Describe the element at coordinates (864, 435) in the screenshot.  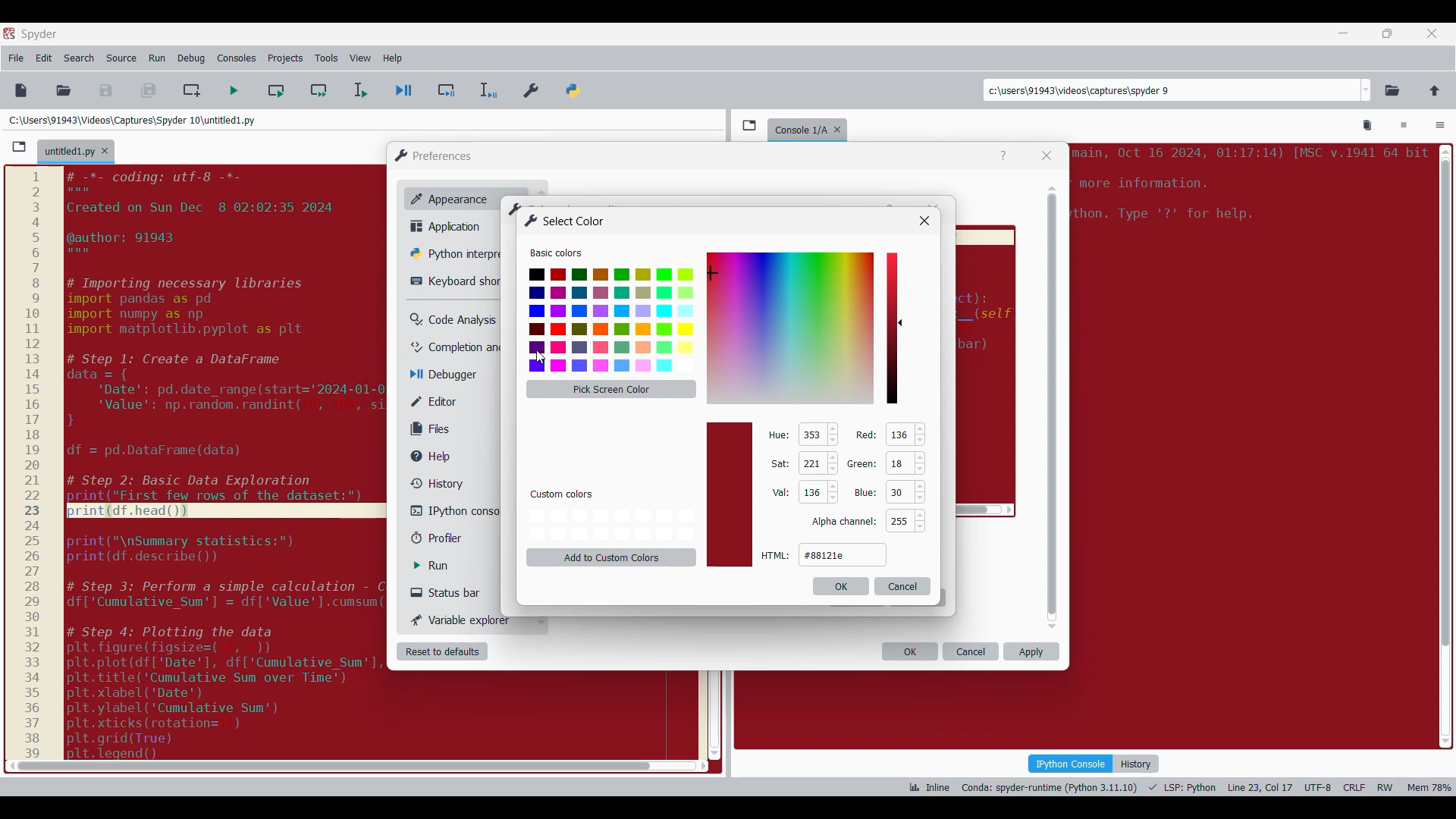
I see `red` at that location.